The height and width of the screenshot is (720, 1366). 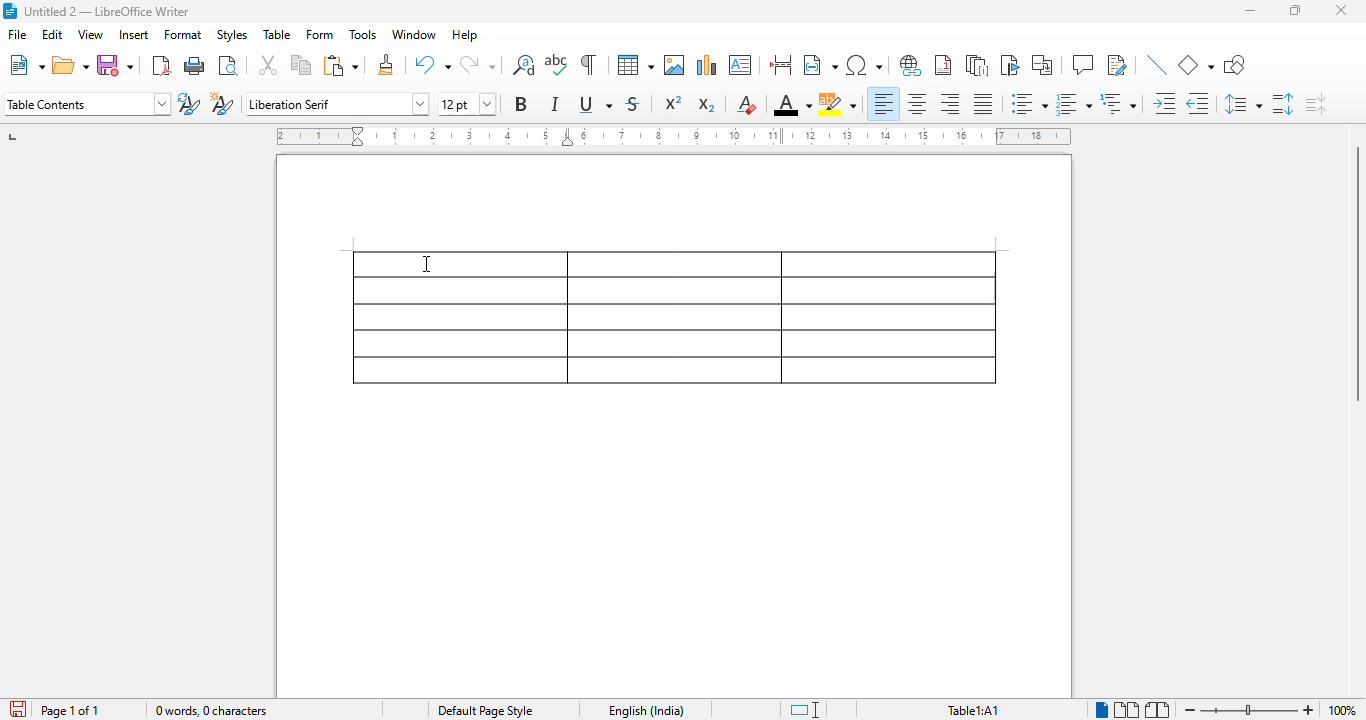 What do you see at coordinates (1198, 104) in the screenshot?
I see `decrease indent` at bounding box center [1198, 104].